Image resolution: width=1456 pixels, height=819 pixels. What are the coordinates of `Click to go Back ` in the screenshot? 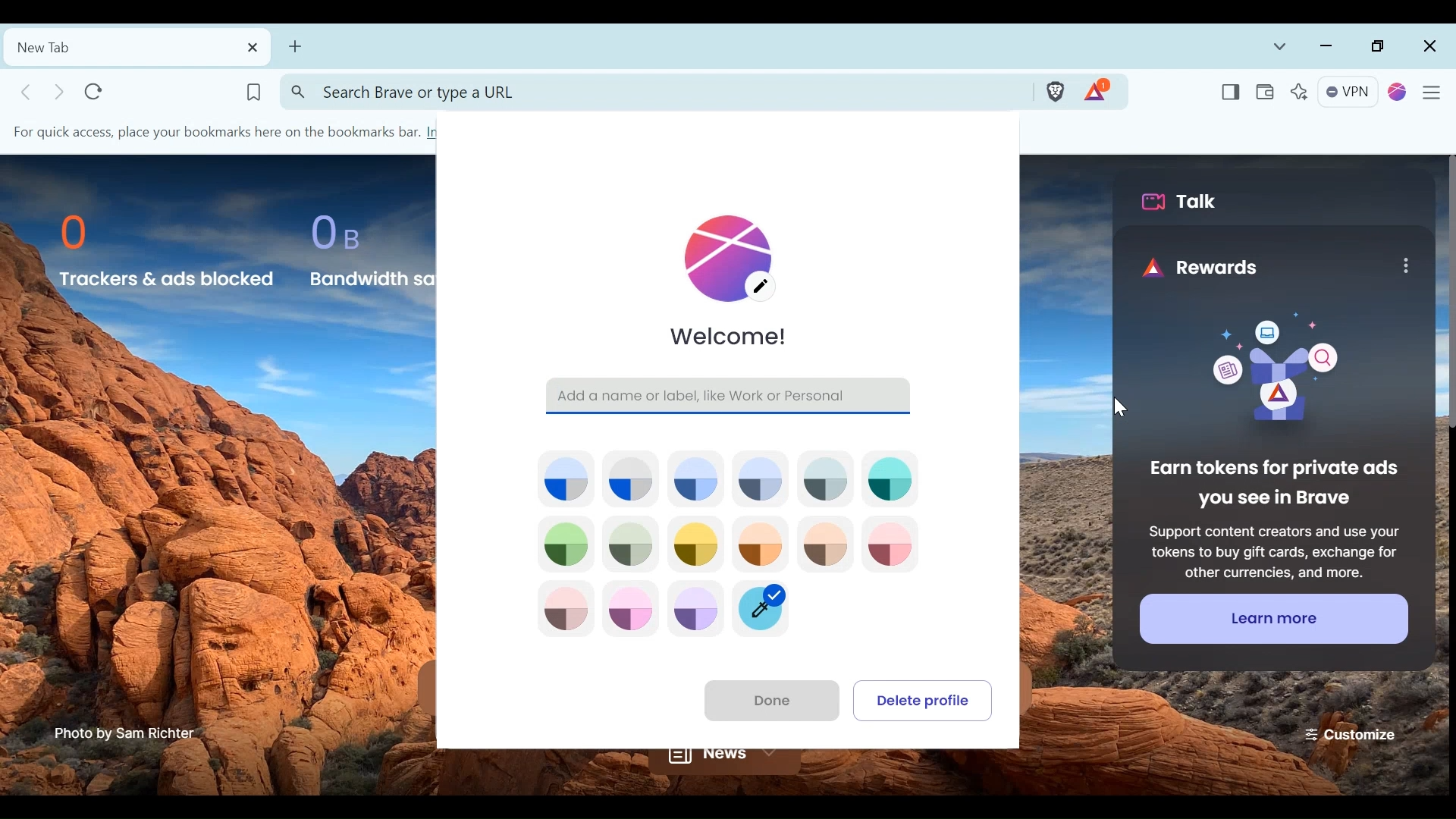 It's located at (28, 91).